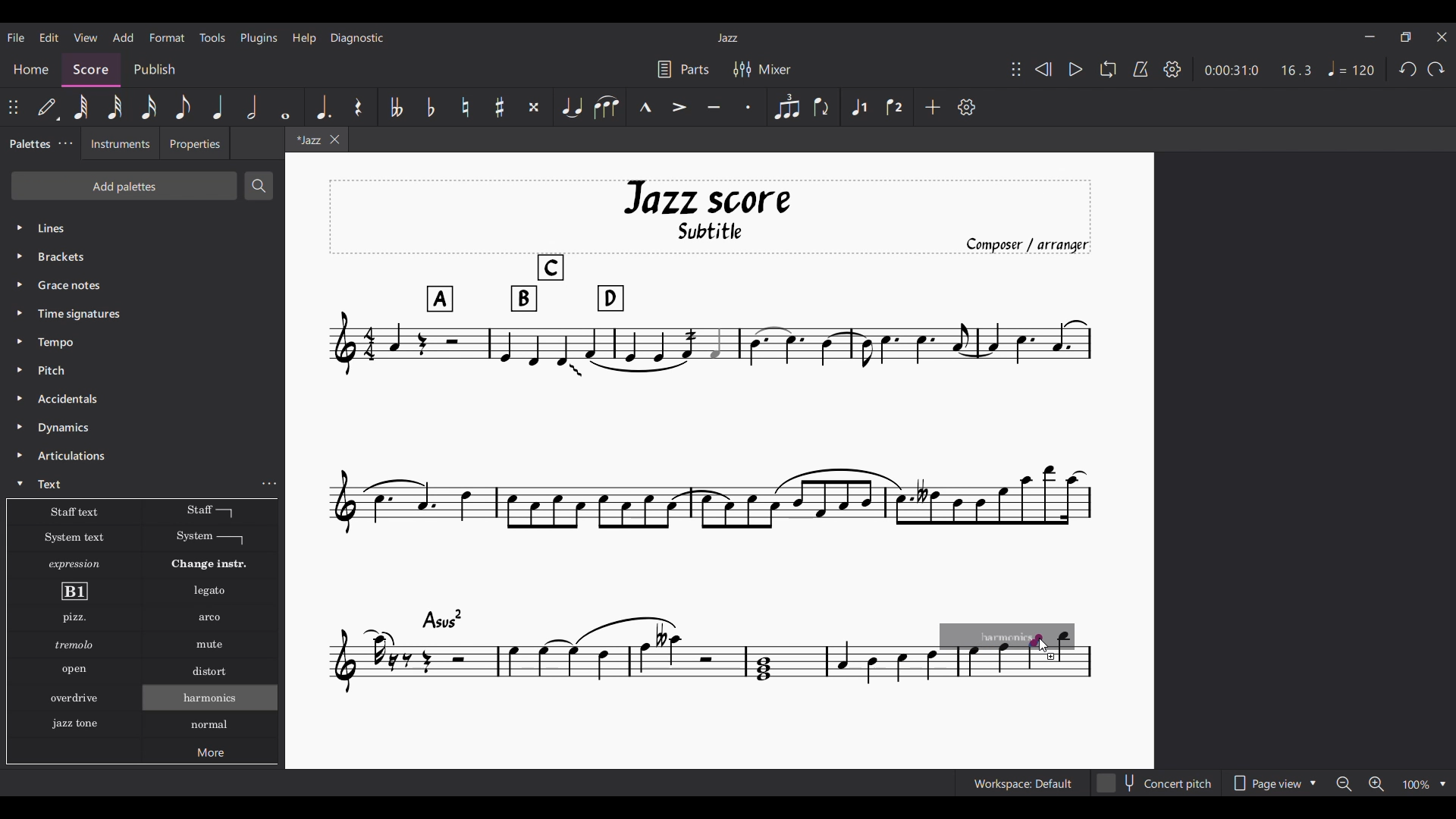 The width and height of the screenshot is (1456, 819). What do you see at coordinates (71, 399) in the screenshot?
I see `Accidents` at bounding box center [71, 399].